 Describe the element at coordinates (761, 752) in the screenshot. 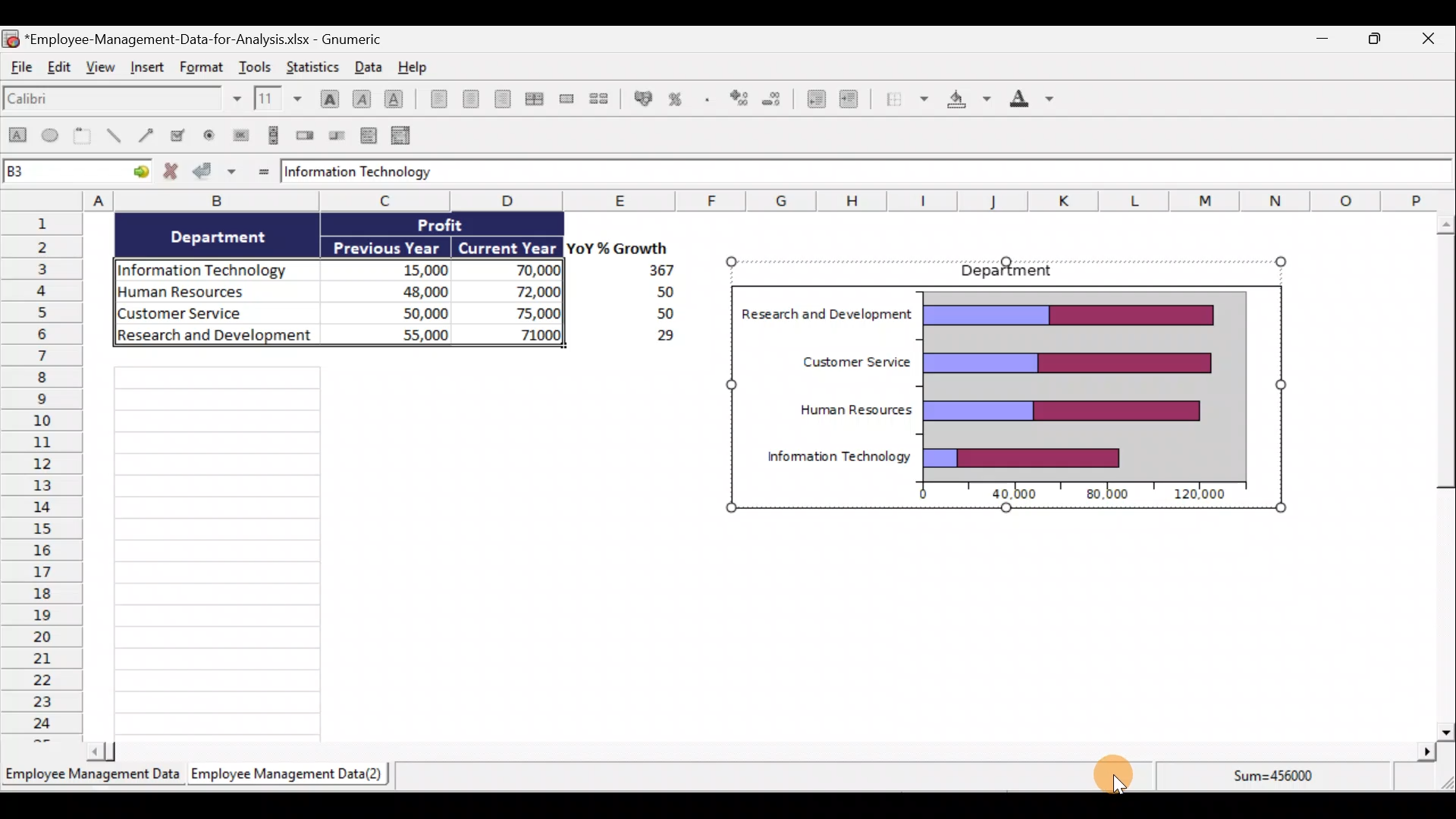

I see `Scroll bar` at that location.